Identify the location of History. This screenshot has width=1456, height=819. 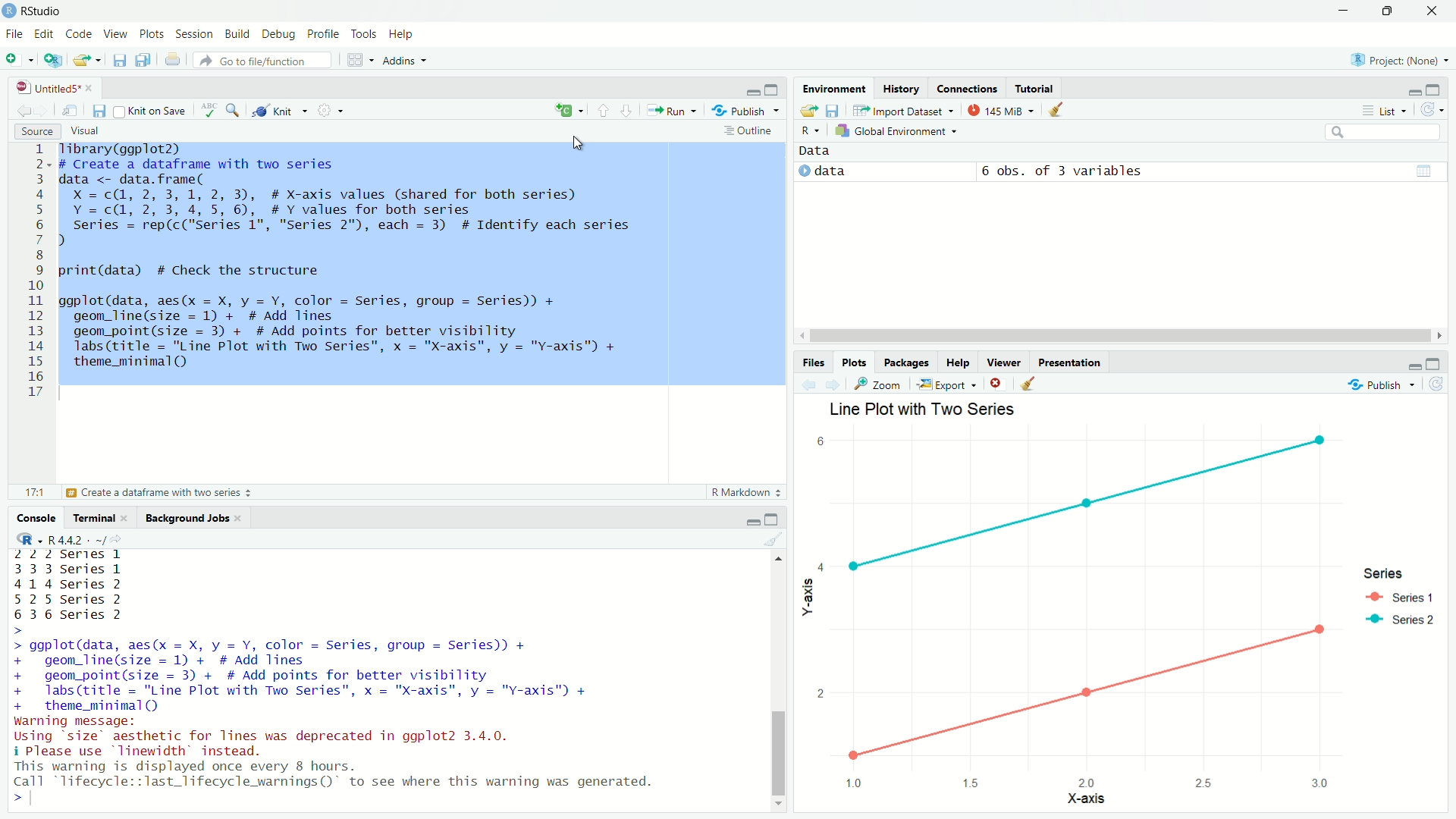
(900, 89).